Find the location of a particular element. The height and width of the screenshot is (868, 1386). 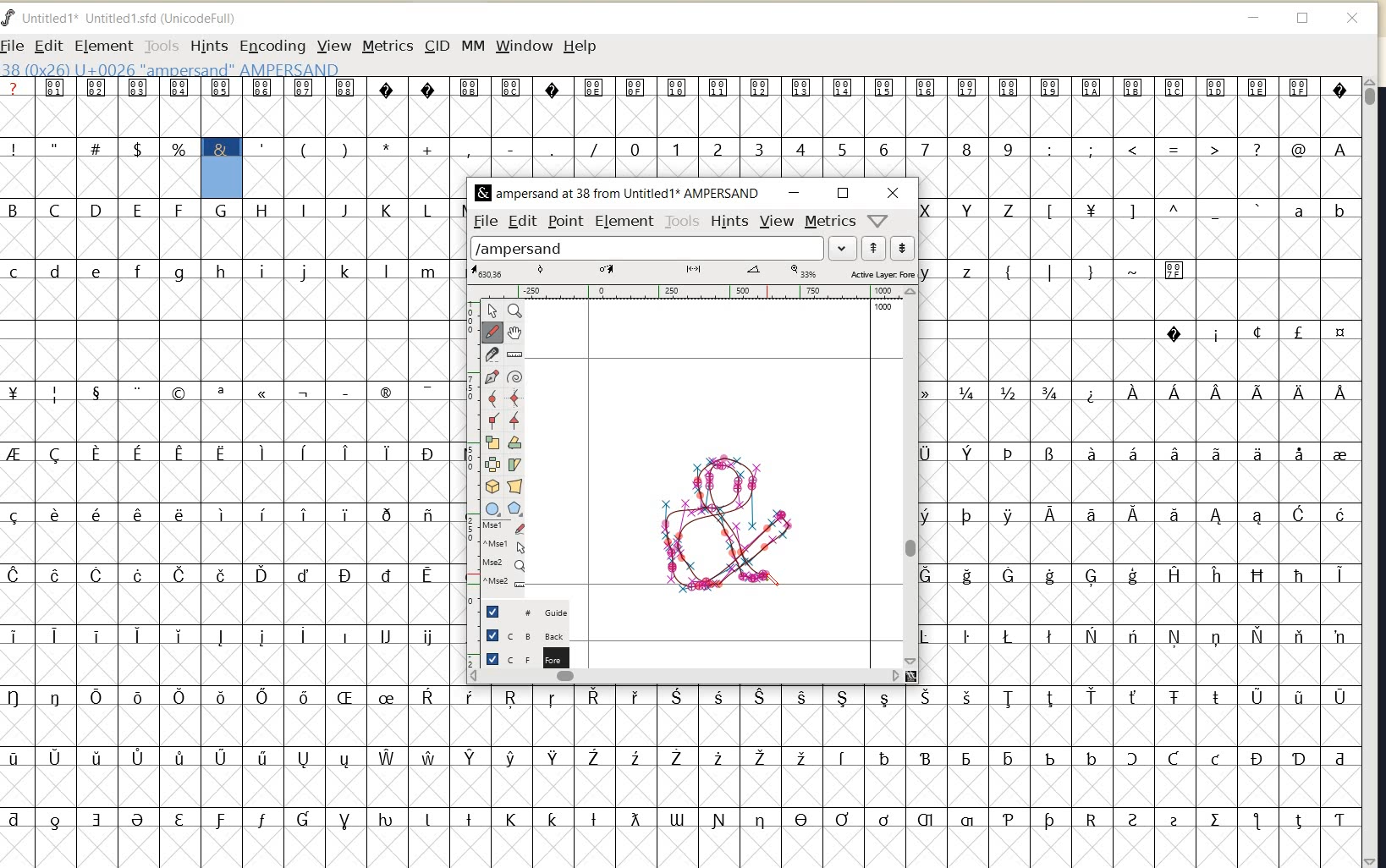

POINT is located at coordinates (568, 222).